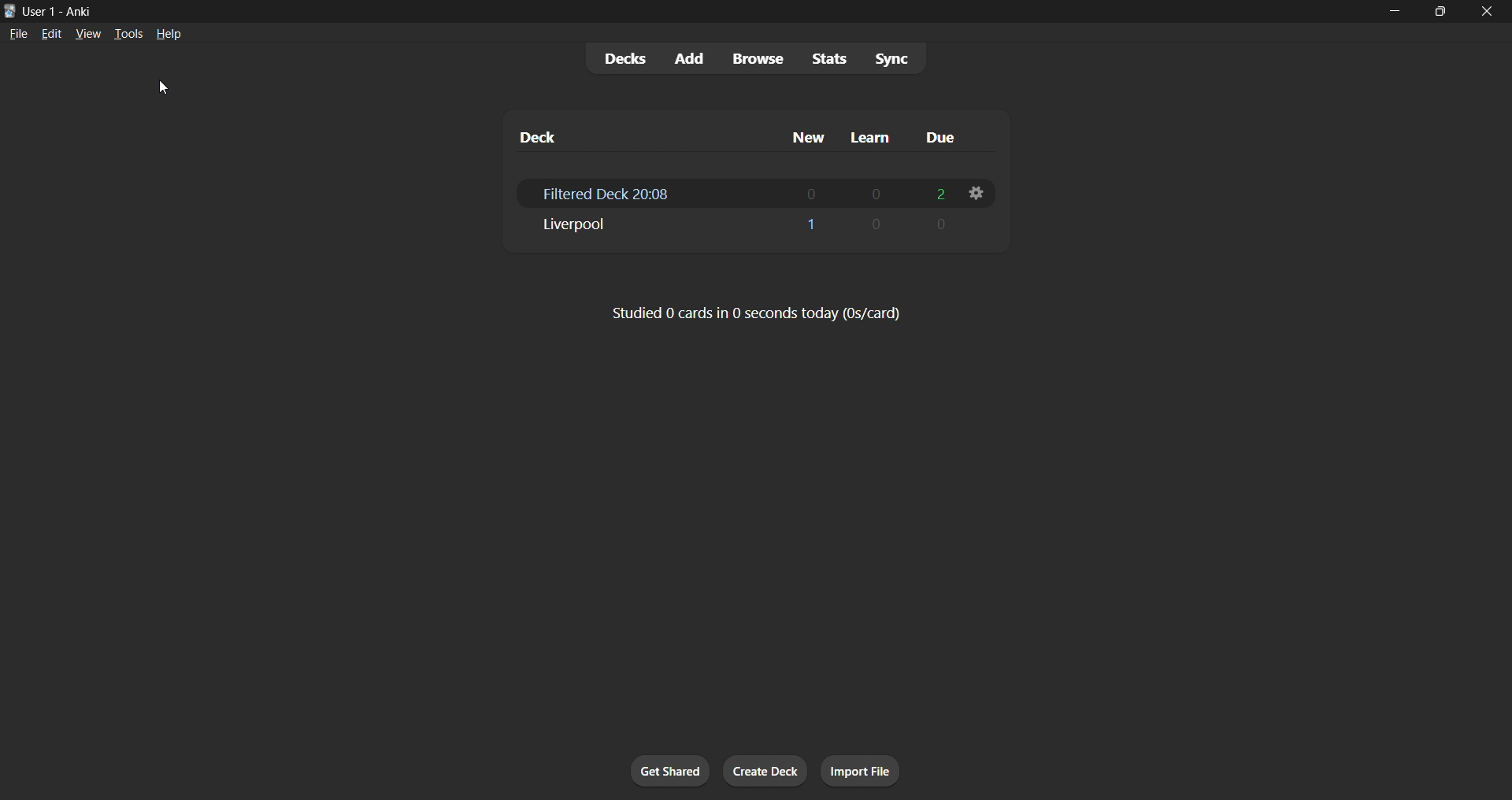 The height and width of the screenshot is (800, 1512). What do you see at coordinates (672, 770) in the screenshot?
I see `get shared` at bounding box center [672, 770].